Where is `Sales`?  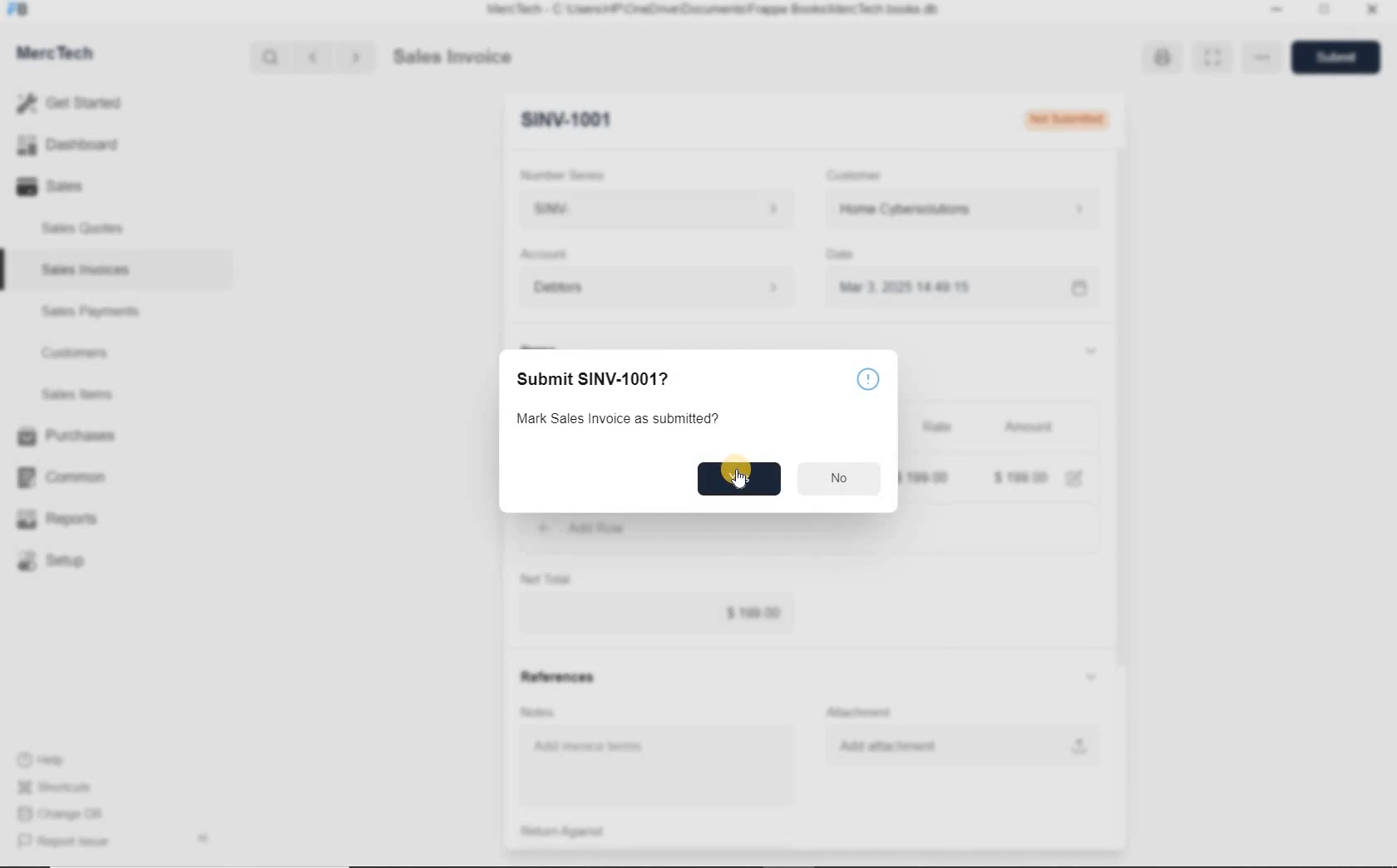 Sales is located at coordinates (75, 186).